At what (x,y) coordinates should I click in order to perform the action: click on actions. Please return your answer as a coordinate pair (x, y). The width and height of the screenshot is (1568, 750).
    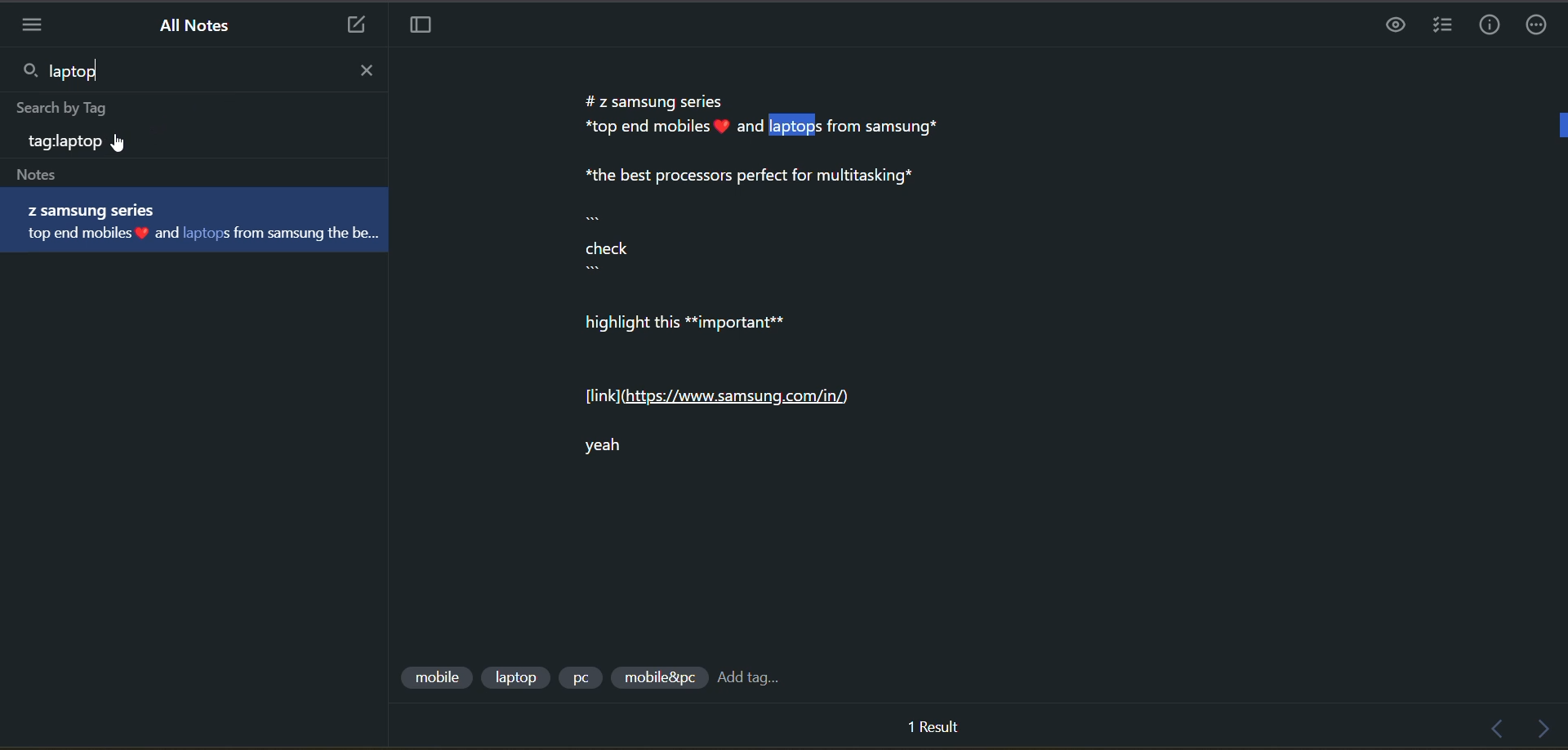
    Looking at the image, I should click on (1539, 25).